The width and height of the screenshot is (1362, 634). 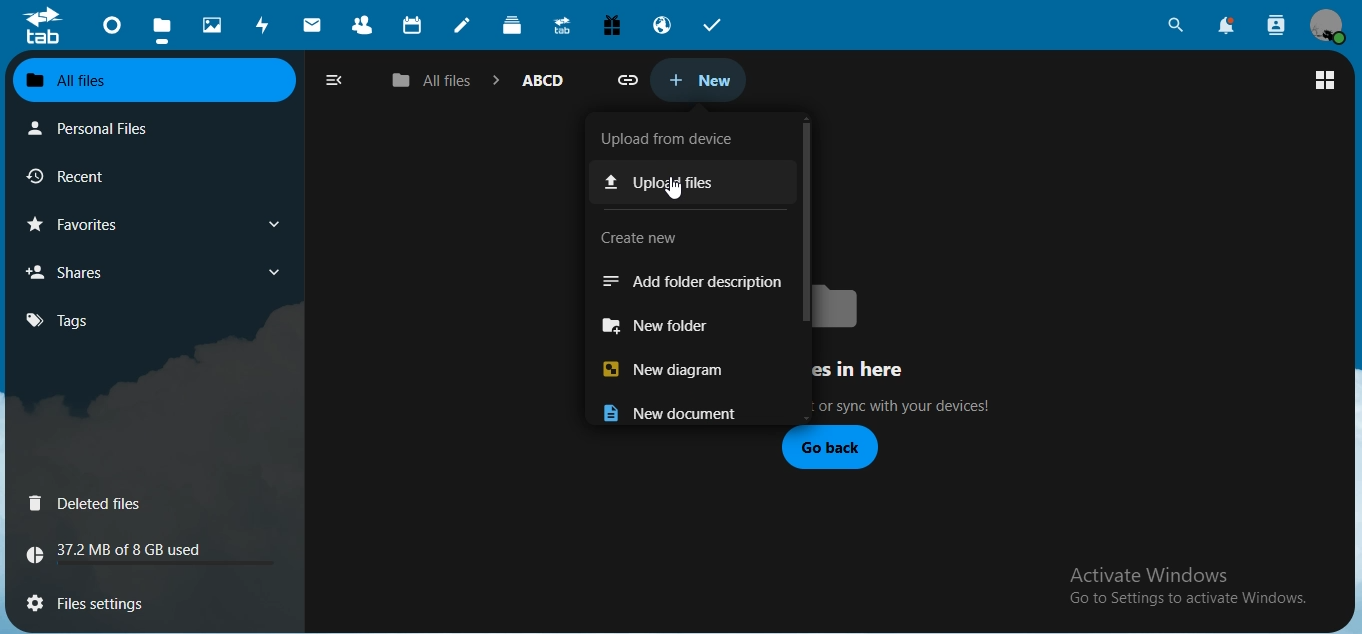 I want to click on close naviagation, so click(x=337, y=78).